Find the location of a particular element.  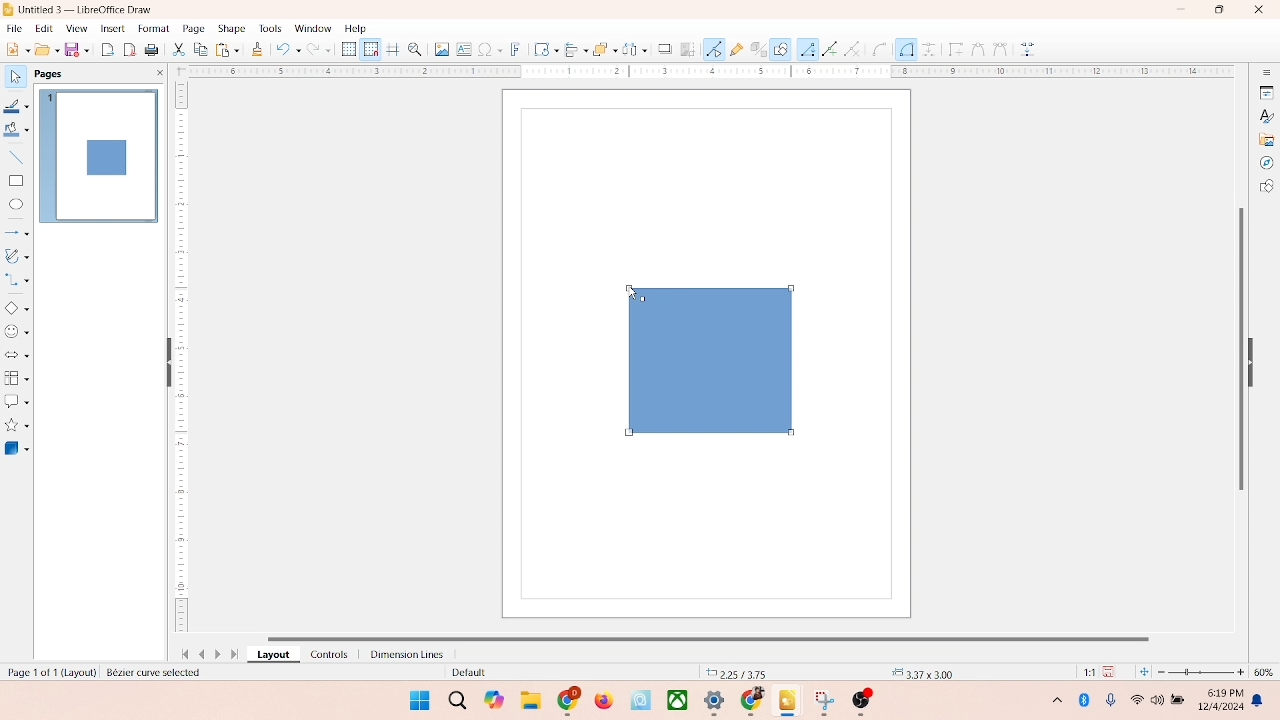

symbol shapes is located at coordinates (17, 332).